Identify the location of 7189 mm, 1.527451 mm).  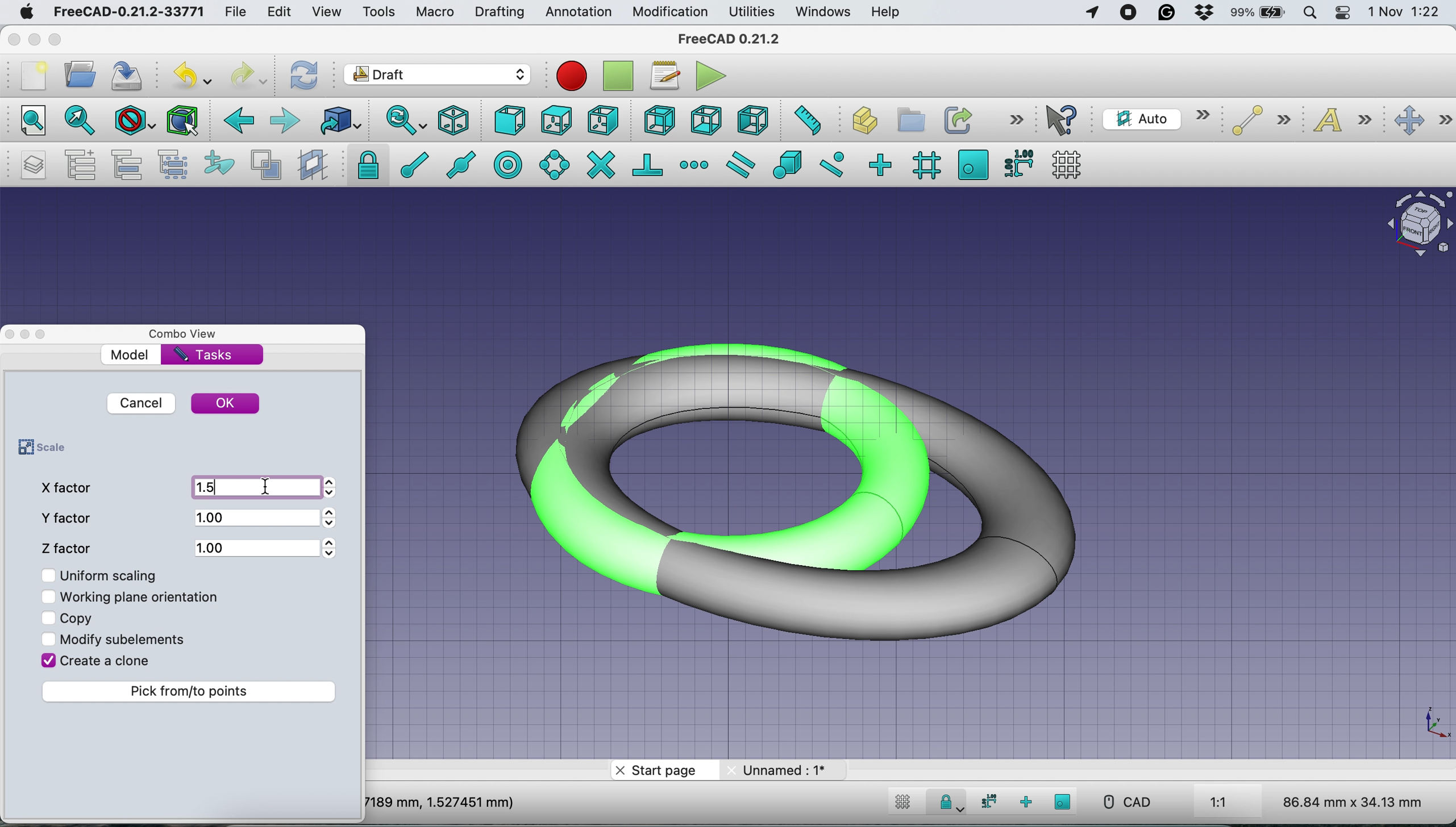
(441, 801).